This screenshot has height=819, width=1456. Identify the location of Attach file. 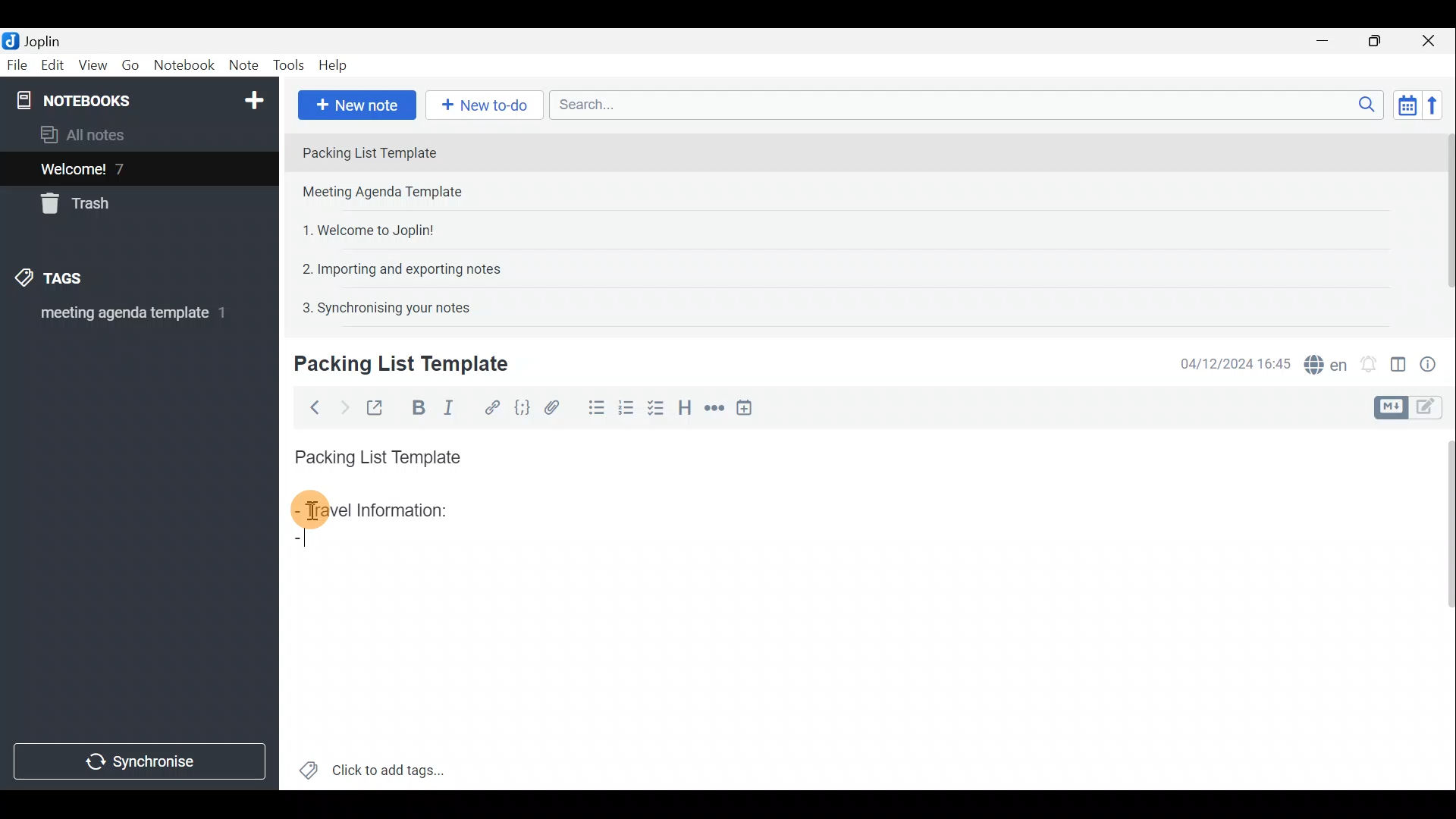
(552, 406).